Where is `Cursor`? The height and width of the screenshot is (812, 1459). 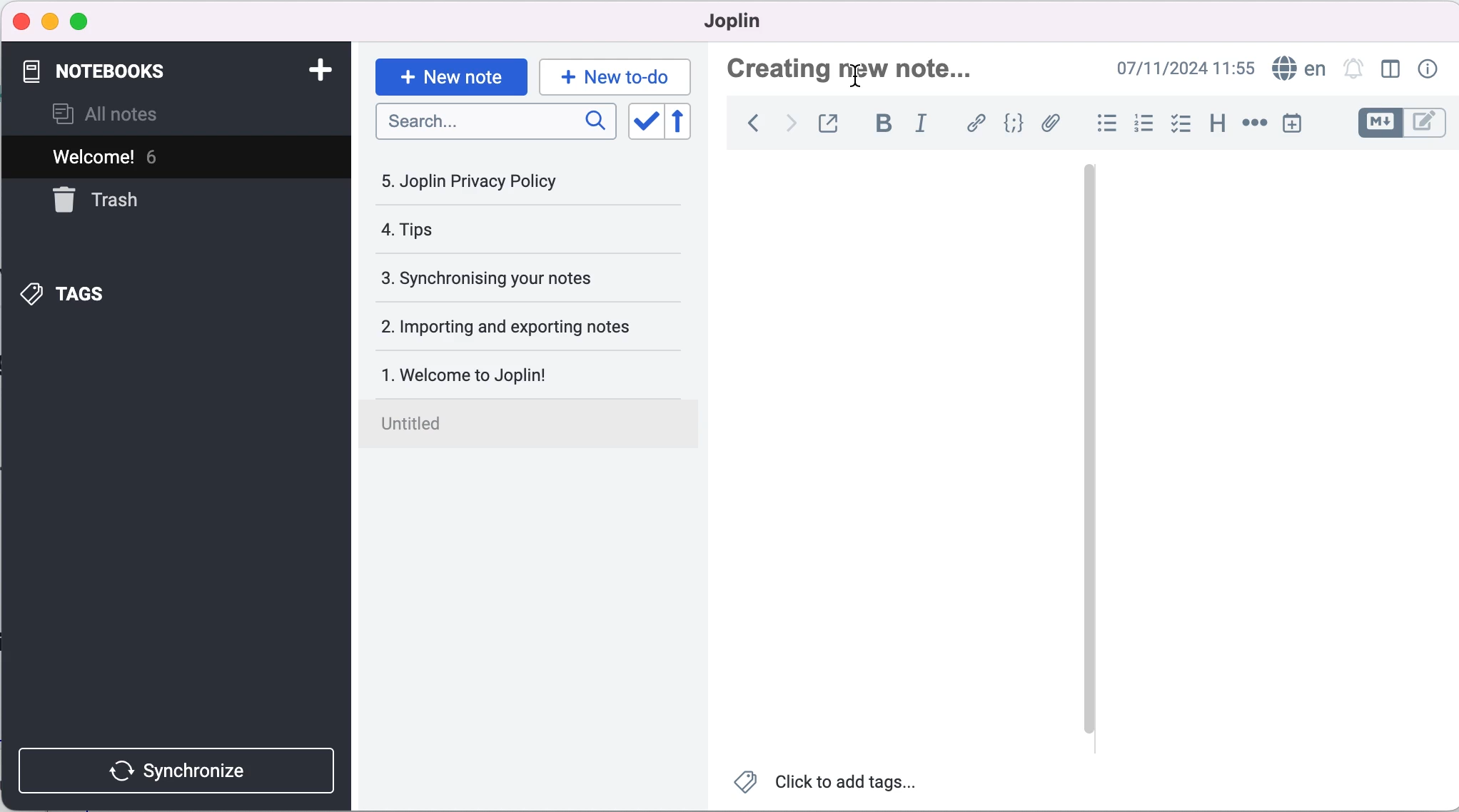
Cursor is located at coordinates (859, 73).